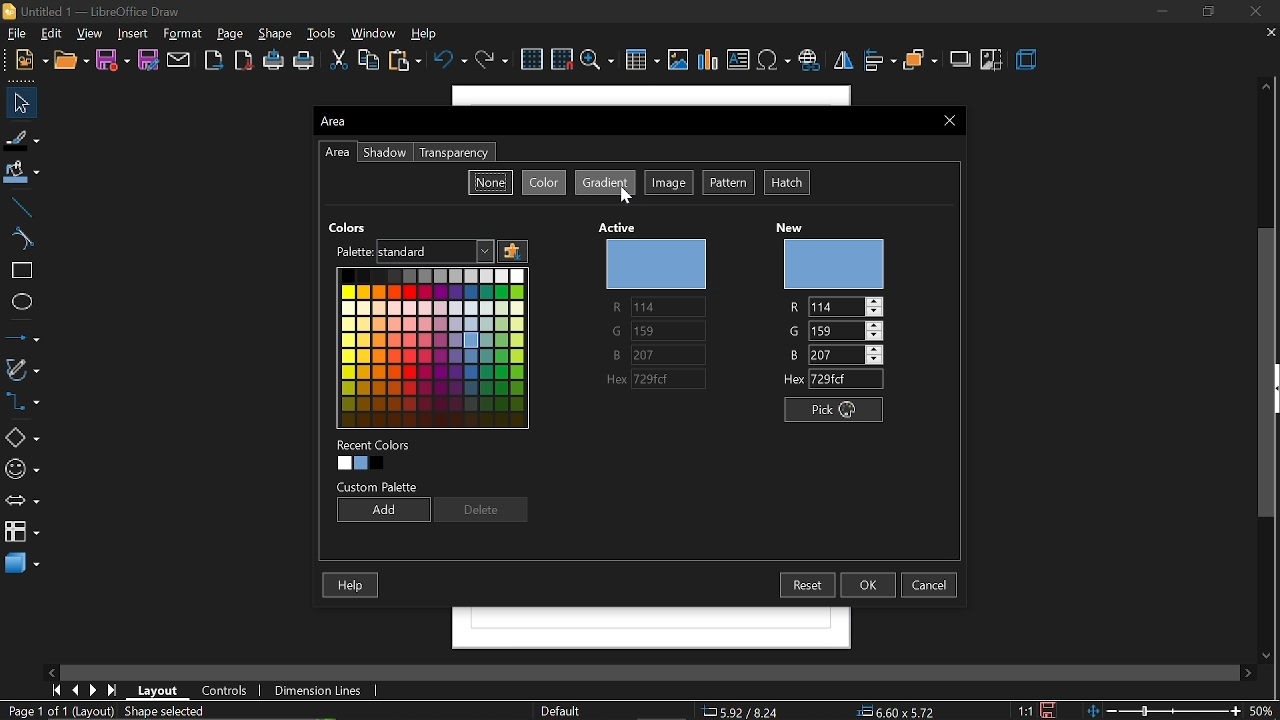  I want to click on previous page, so click(75, 689).